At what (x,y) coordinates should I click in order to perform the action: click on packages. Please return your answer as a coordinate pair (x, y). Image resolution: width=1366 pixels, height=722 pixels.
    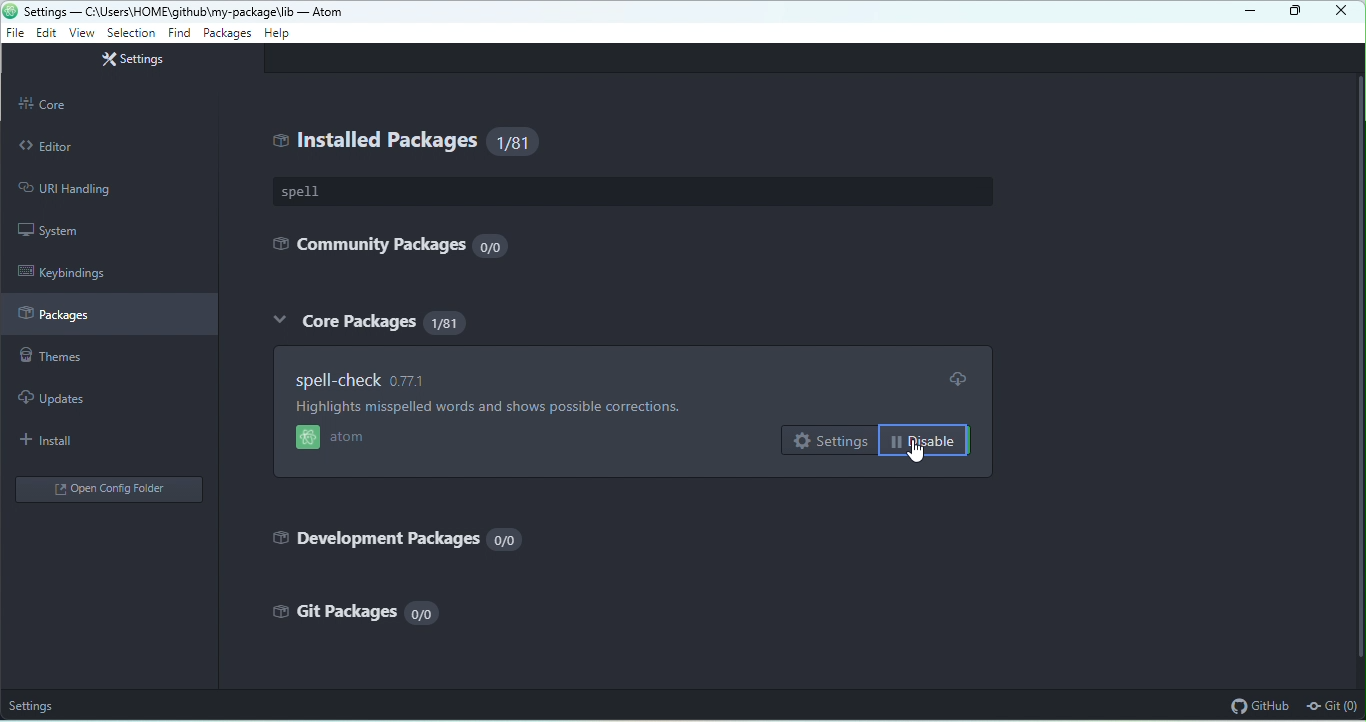
    Looking at the image, I should click on (226, 33).